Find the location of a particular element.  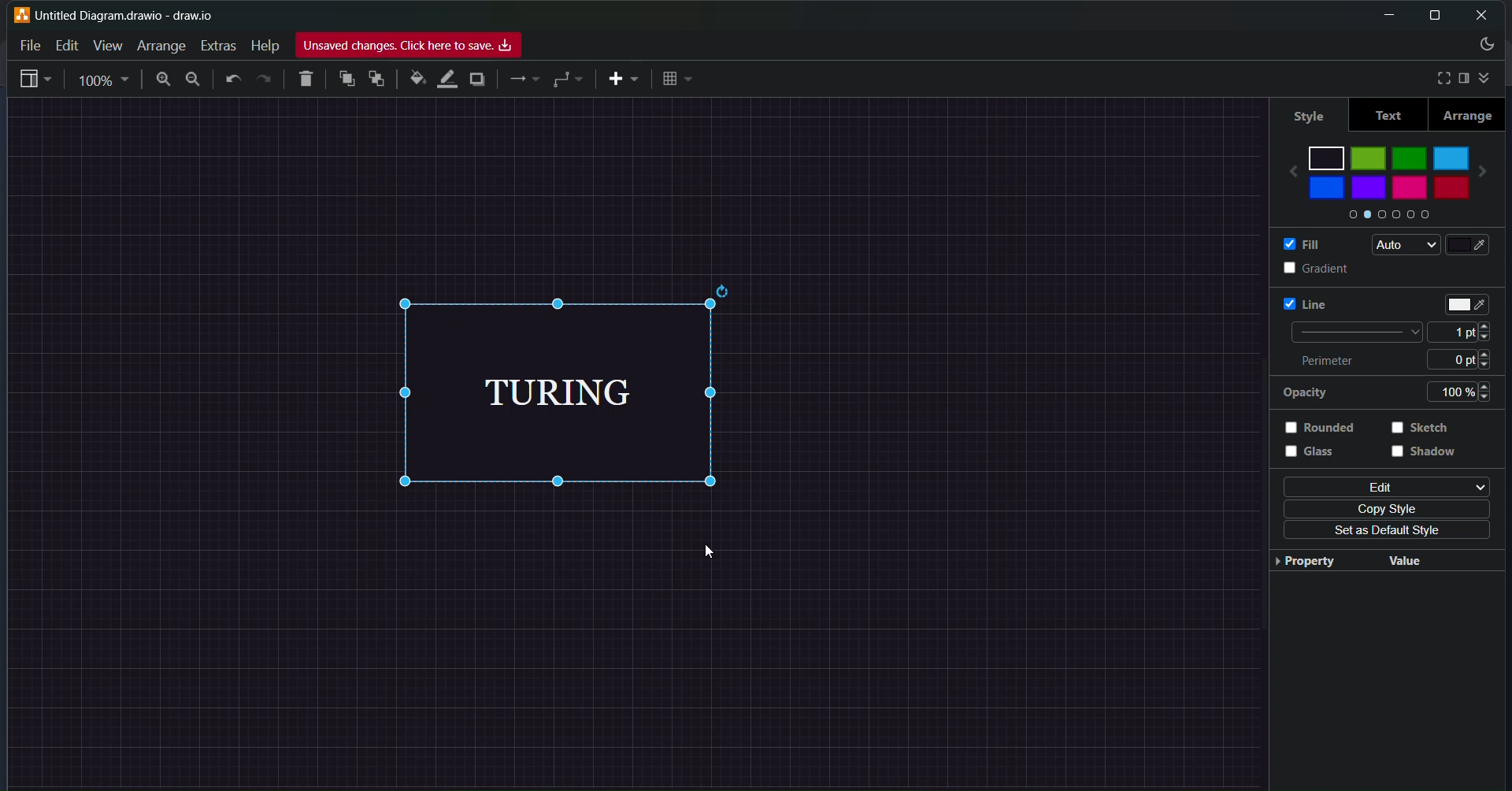

grid is located at coordinates (679, 79).